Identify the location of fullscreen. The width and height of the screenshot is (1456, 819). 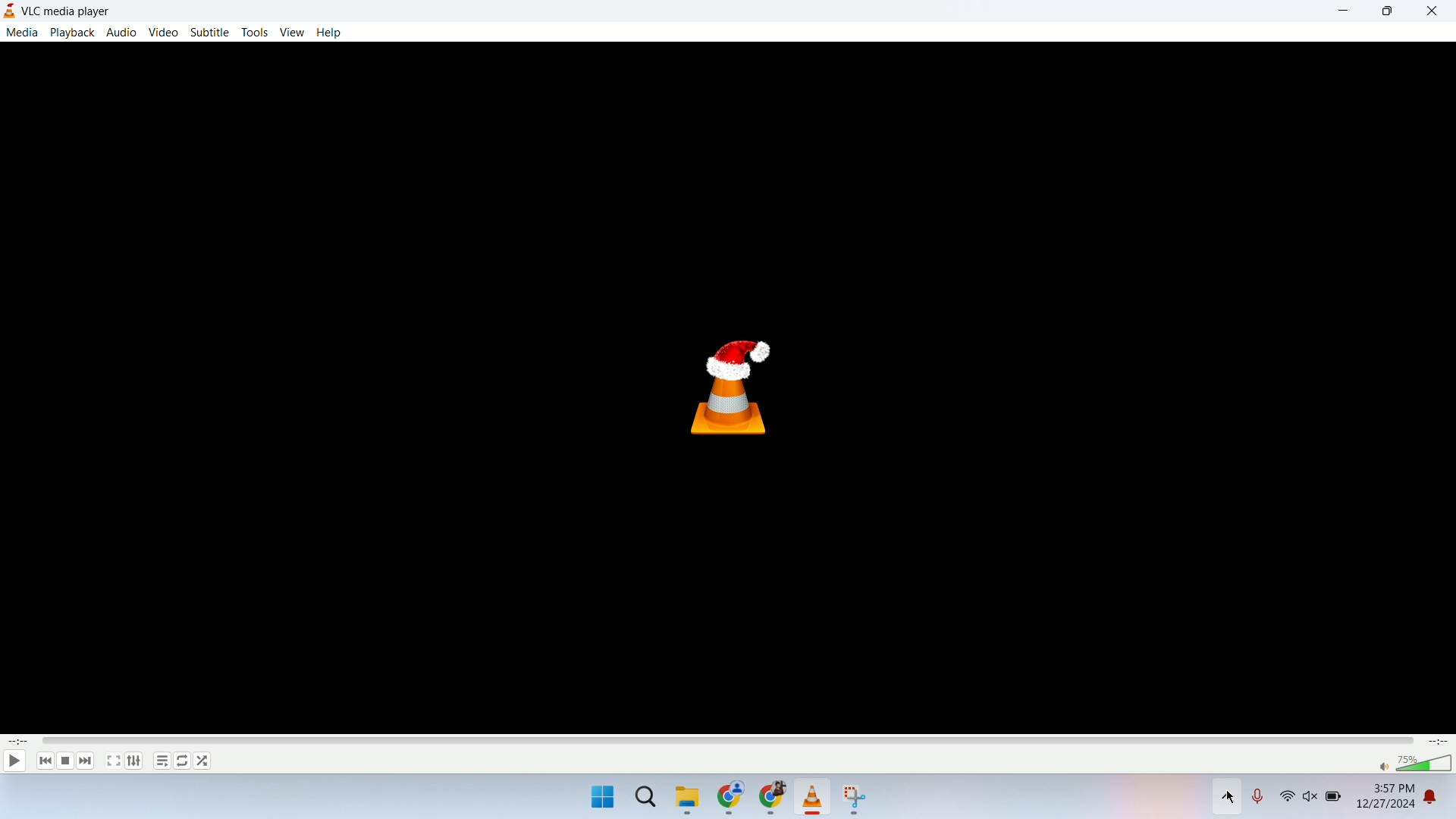
(112, 761).